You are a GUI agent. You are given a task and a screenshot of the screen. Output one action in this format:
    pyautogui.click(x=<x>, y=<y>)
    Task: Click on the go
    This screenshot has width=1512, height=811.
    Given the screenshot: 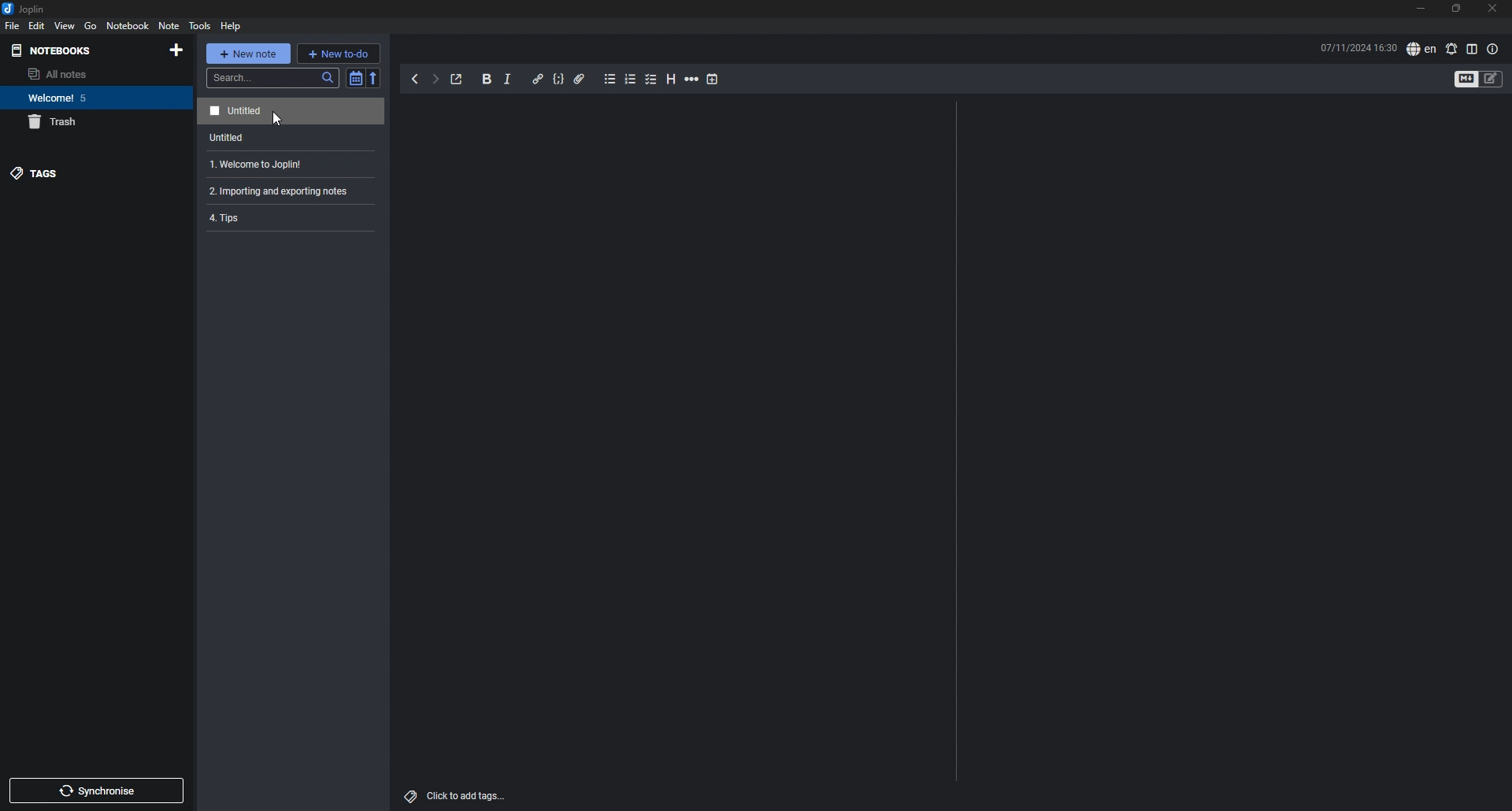 What is the action you would take?
    pyautogui.click(x=91, y=25)
    